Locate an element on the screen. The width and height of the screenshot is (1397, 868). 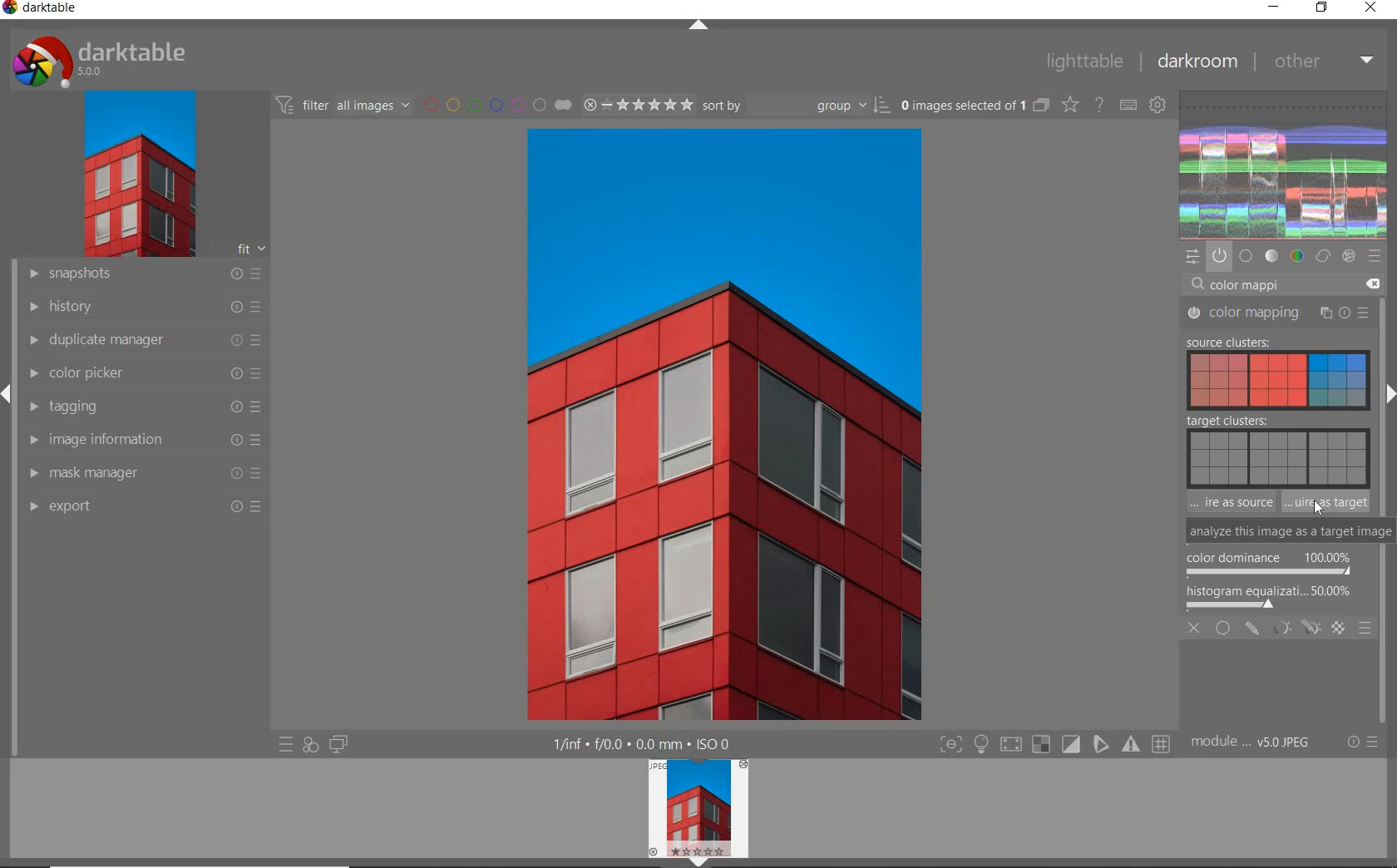
COLOR DOMINANCE is located at coordinates (1269, 565).